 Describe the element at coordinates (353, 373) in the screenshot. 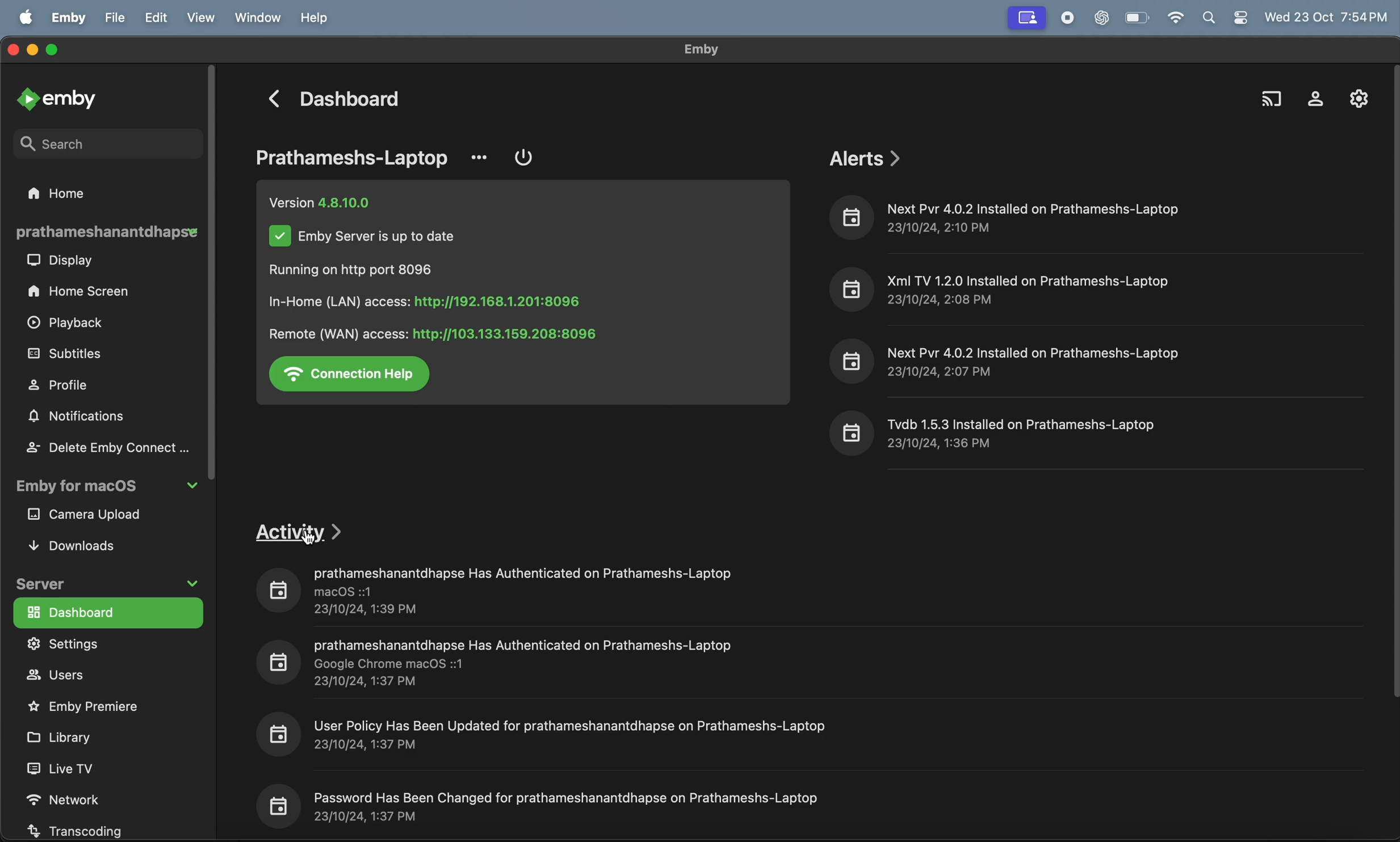

I see `connection help` at that location.